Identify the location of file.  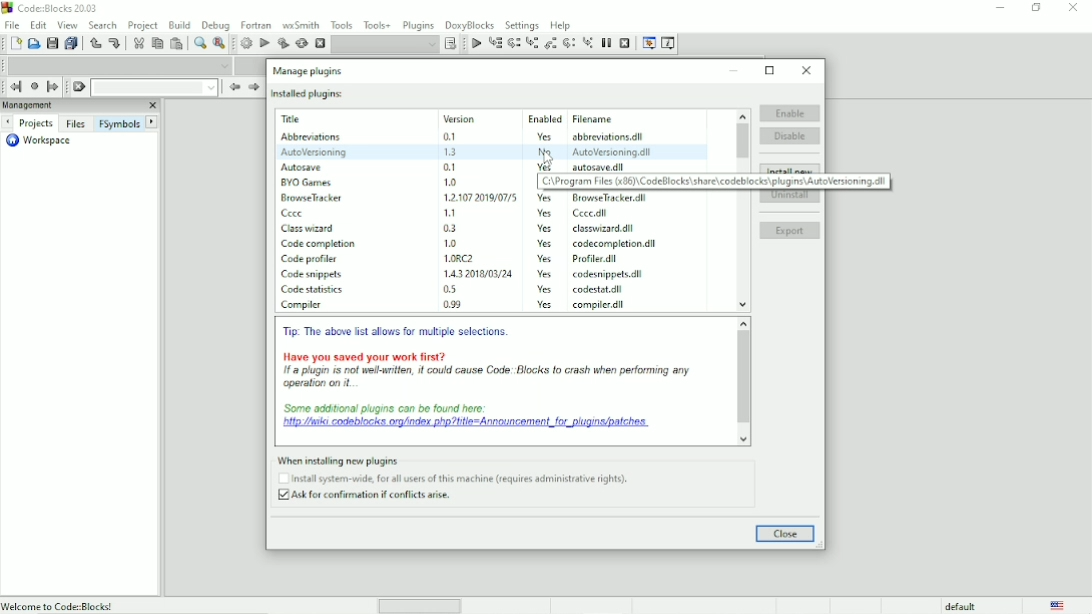
(602, 304).